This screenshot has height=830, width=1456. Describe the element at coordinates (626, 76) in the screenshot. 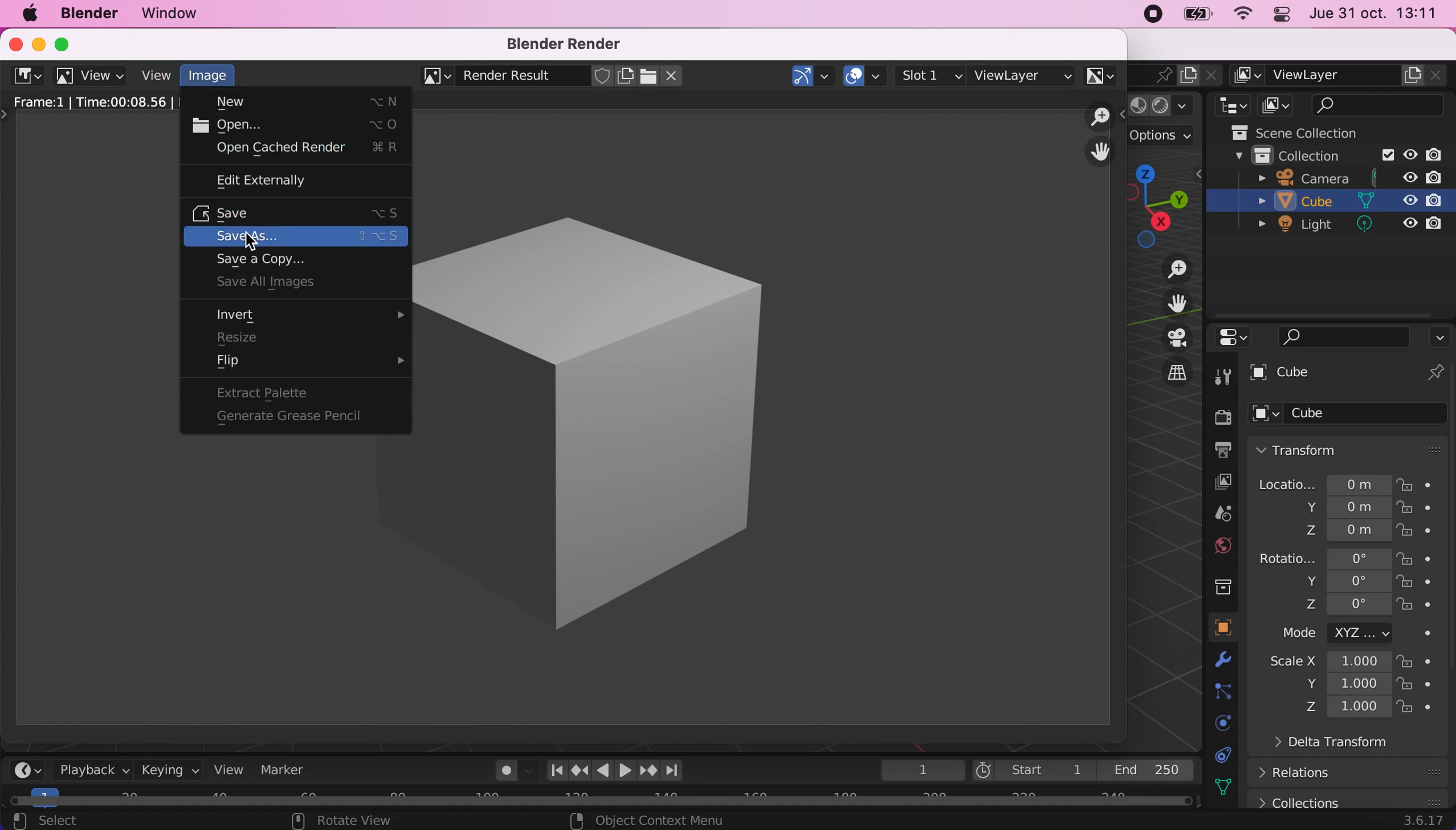

I see `new image` at that location.